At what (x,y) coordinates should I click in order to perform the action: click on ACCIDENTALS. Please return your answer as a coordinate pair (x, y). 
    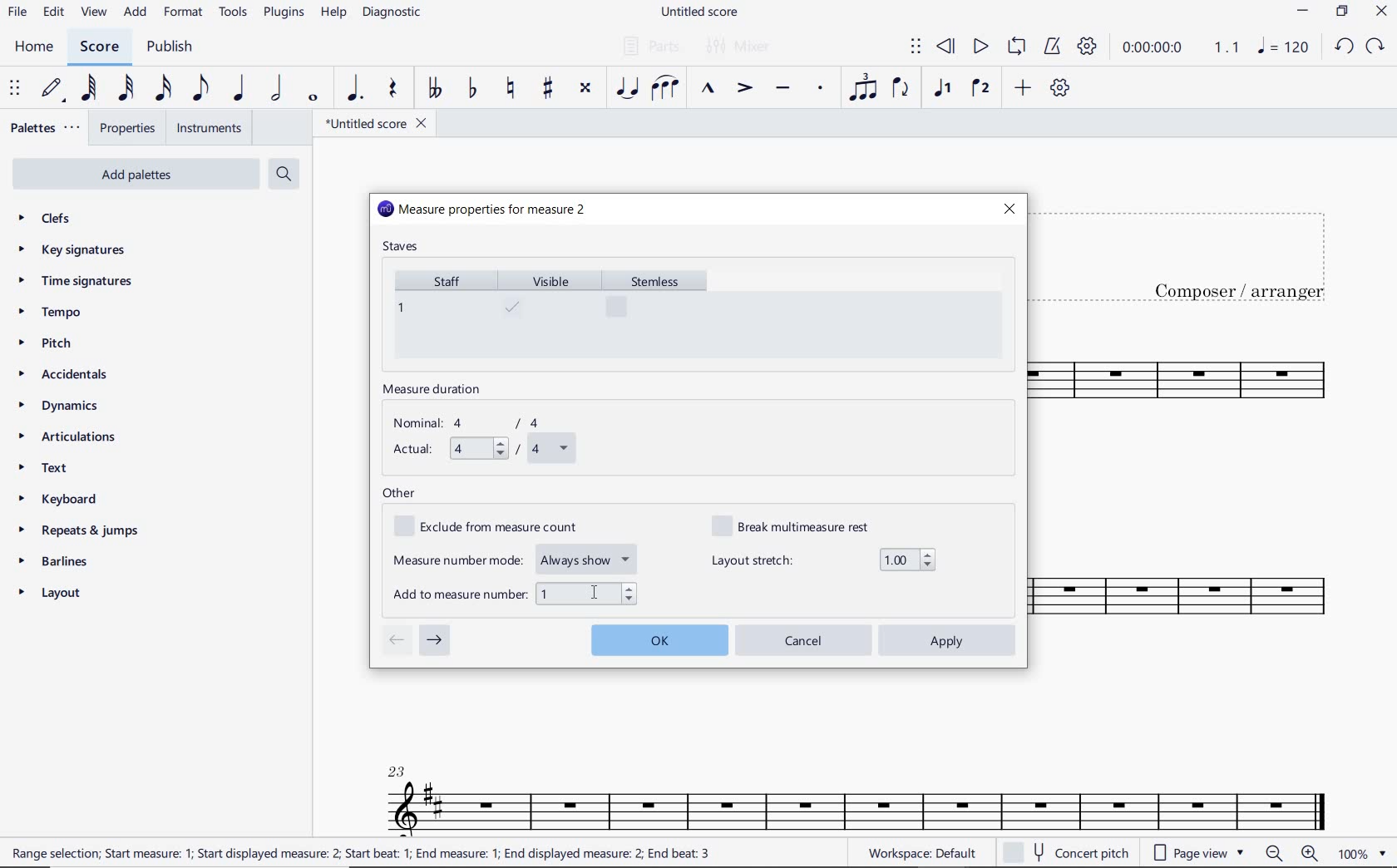
    Looking at the image, I should click on (71, 374).